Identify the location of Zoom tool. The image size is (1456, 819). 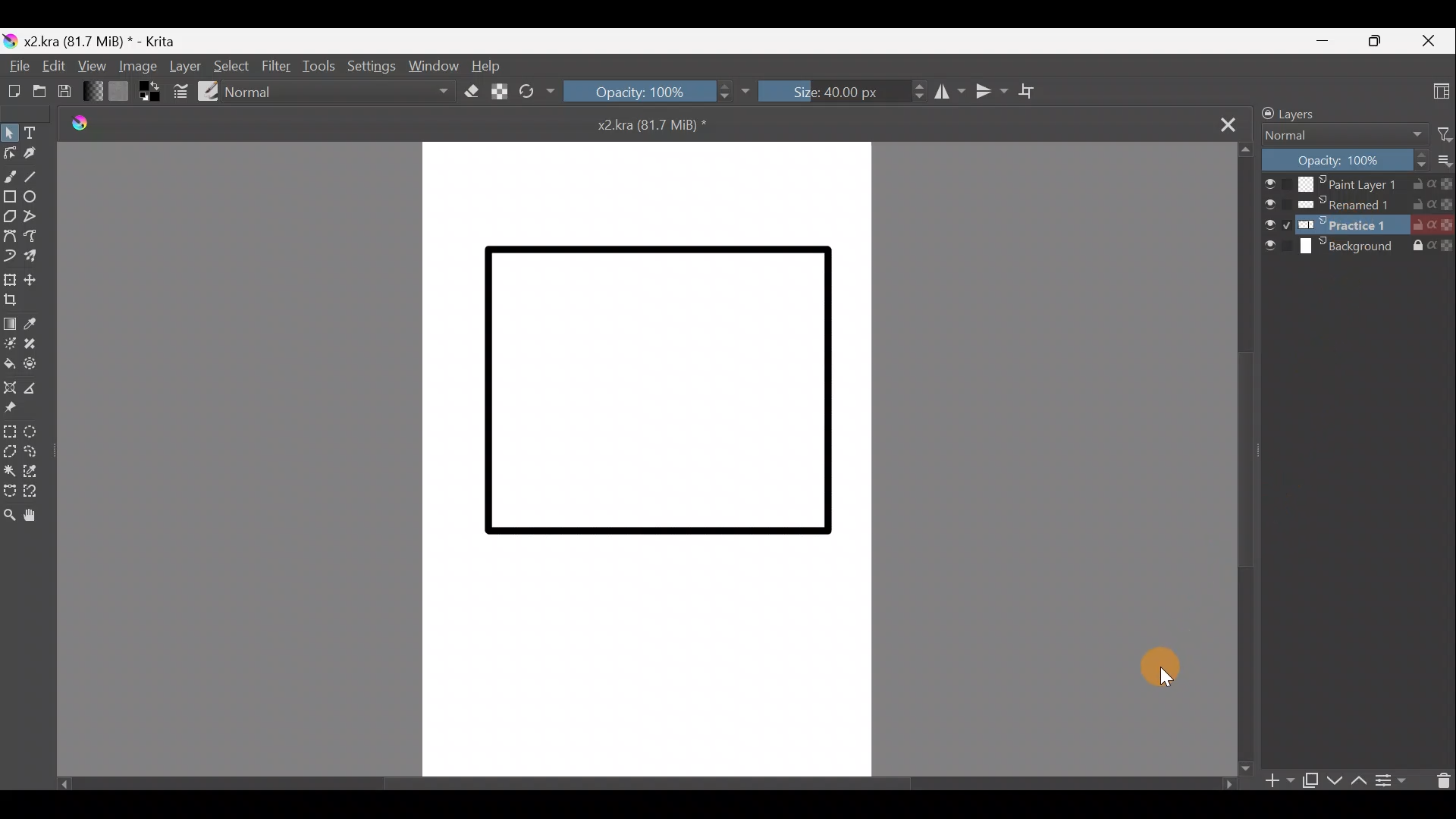
(11, 515).